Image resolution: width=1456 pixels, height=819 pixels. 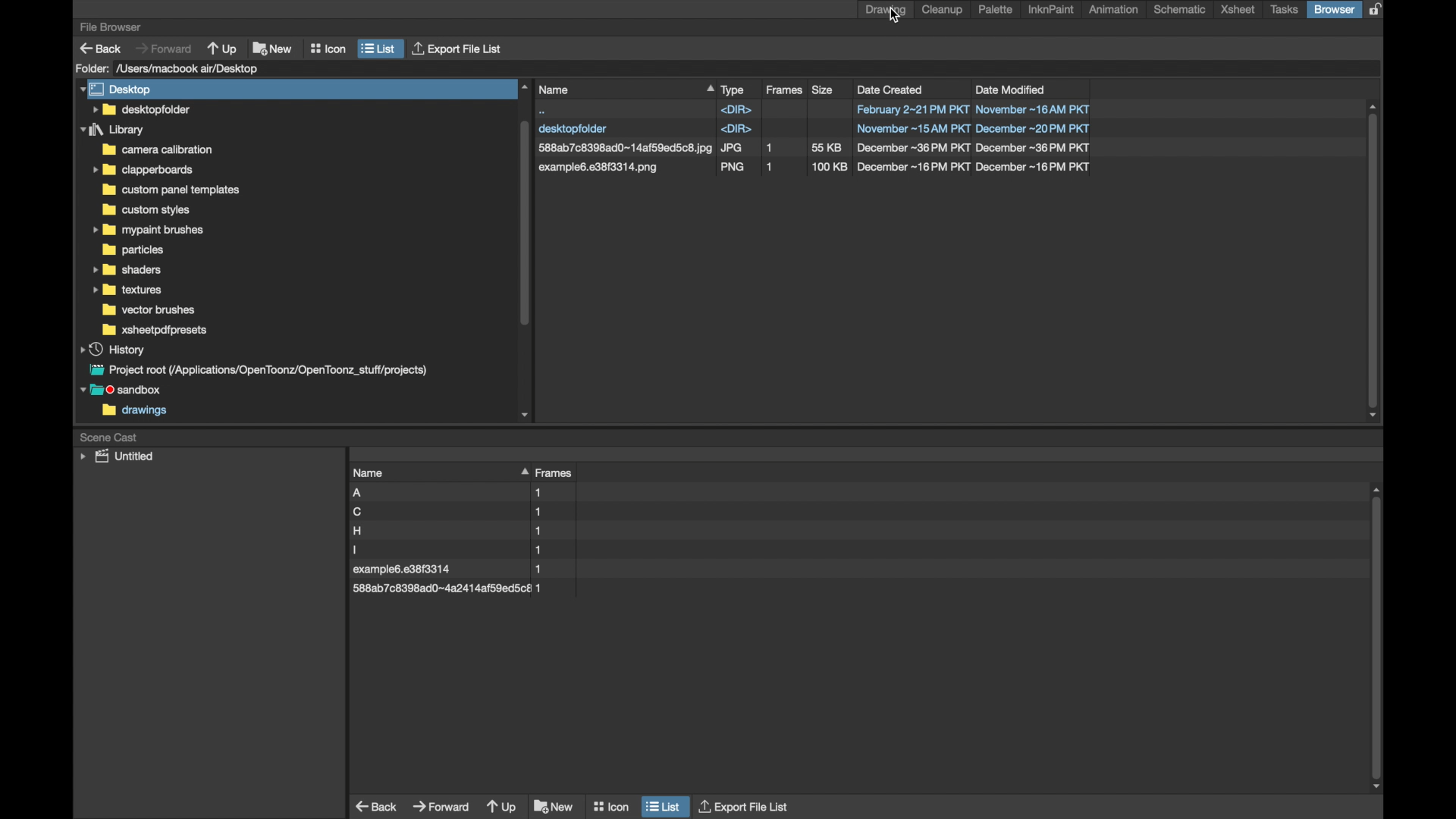 I want to click on folder, so click(x=146, y=231).